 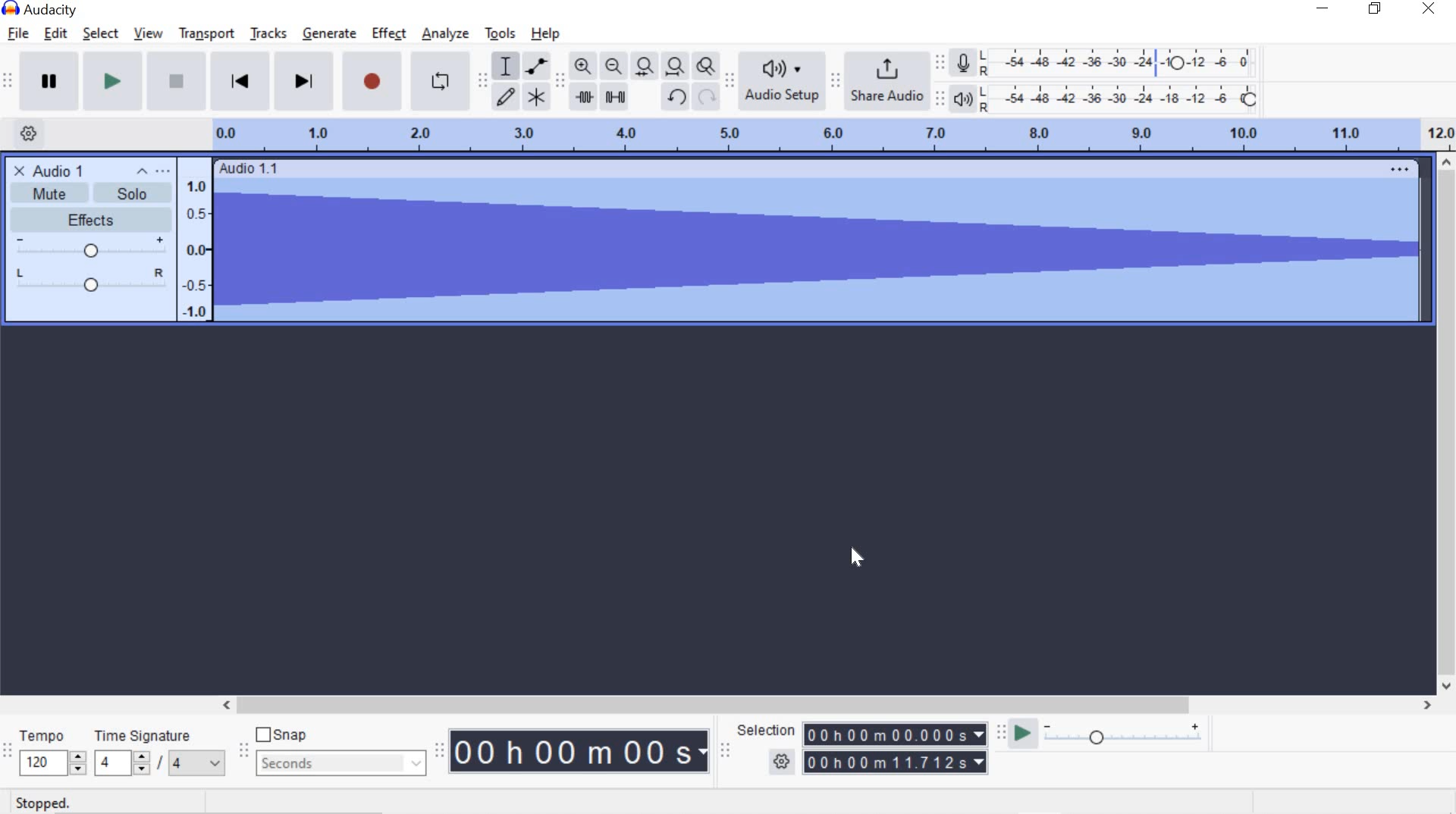 What do you see at coordinates (341, 762) in the screenshot?
I see `seconds` at bounding box center [341, 762].